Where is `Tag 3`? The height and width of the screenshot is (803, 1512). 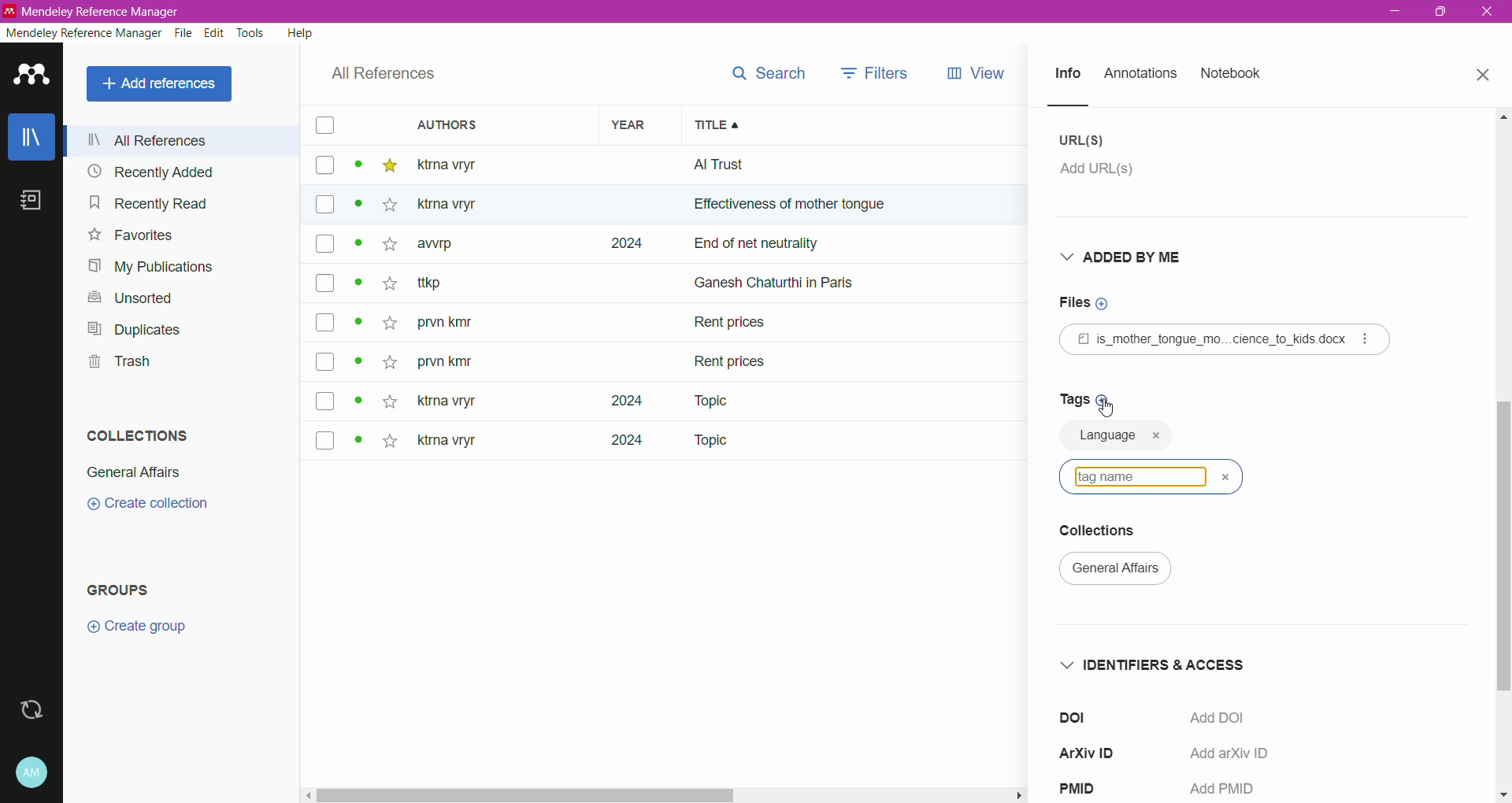 Tag 3 is located at coordinates (1150, 476).